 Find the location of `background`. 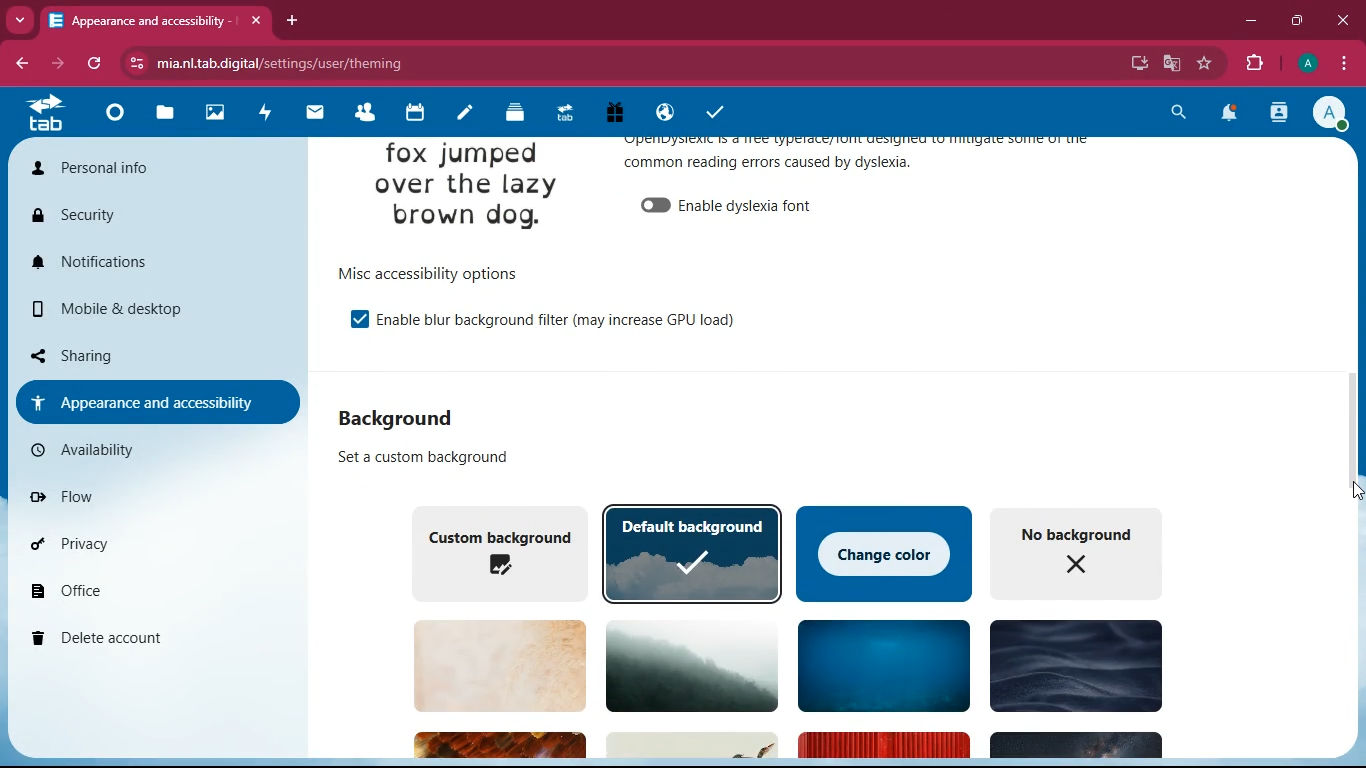

background is located at coordinates (1073, 665).